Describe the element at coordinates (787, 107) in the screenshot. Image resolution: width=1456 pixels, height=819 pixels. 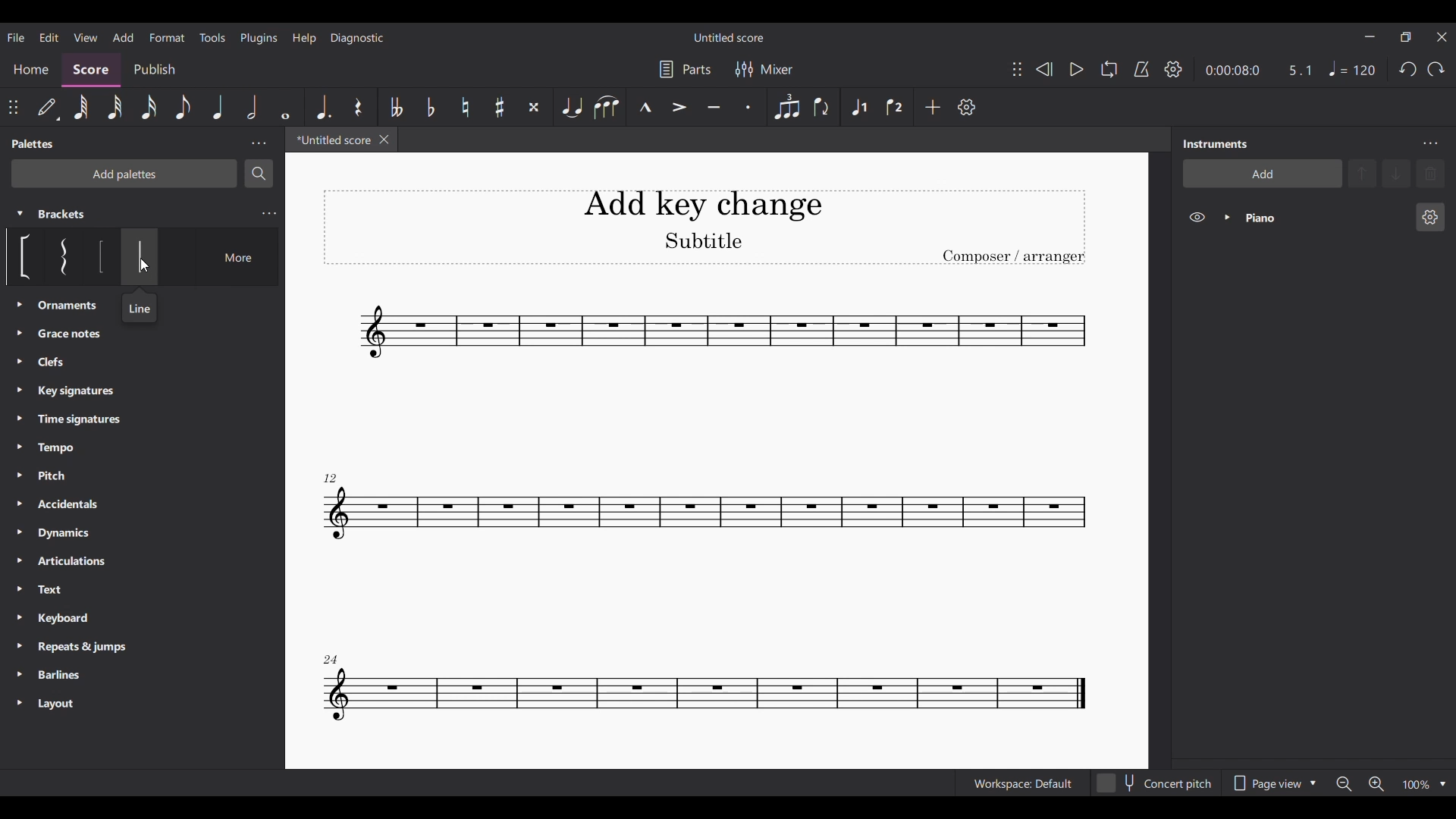
I see `Tuplet` at that location.